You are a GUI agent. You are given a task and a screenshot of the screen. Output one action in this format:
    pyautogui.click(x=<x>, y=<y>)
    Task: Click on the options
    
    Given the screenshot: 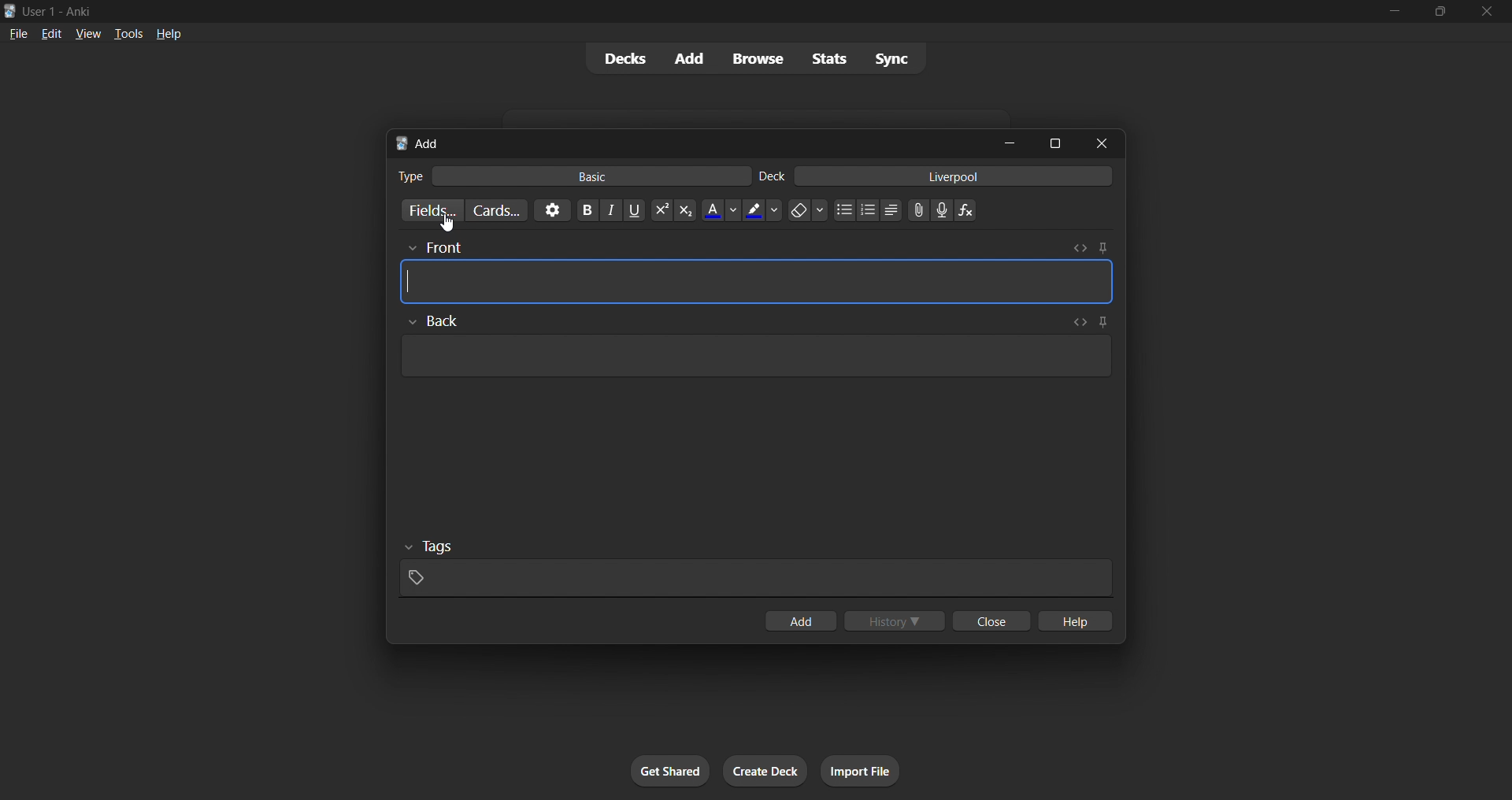 What is the action you would take?
    pyautogui.click(x=552, y=210)
    